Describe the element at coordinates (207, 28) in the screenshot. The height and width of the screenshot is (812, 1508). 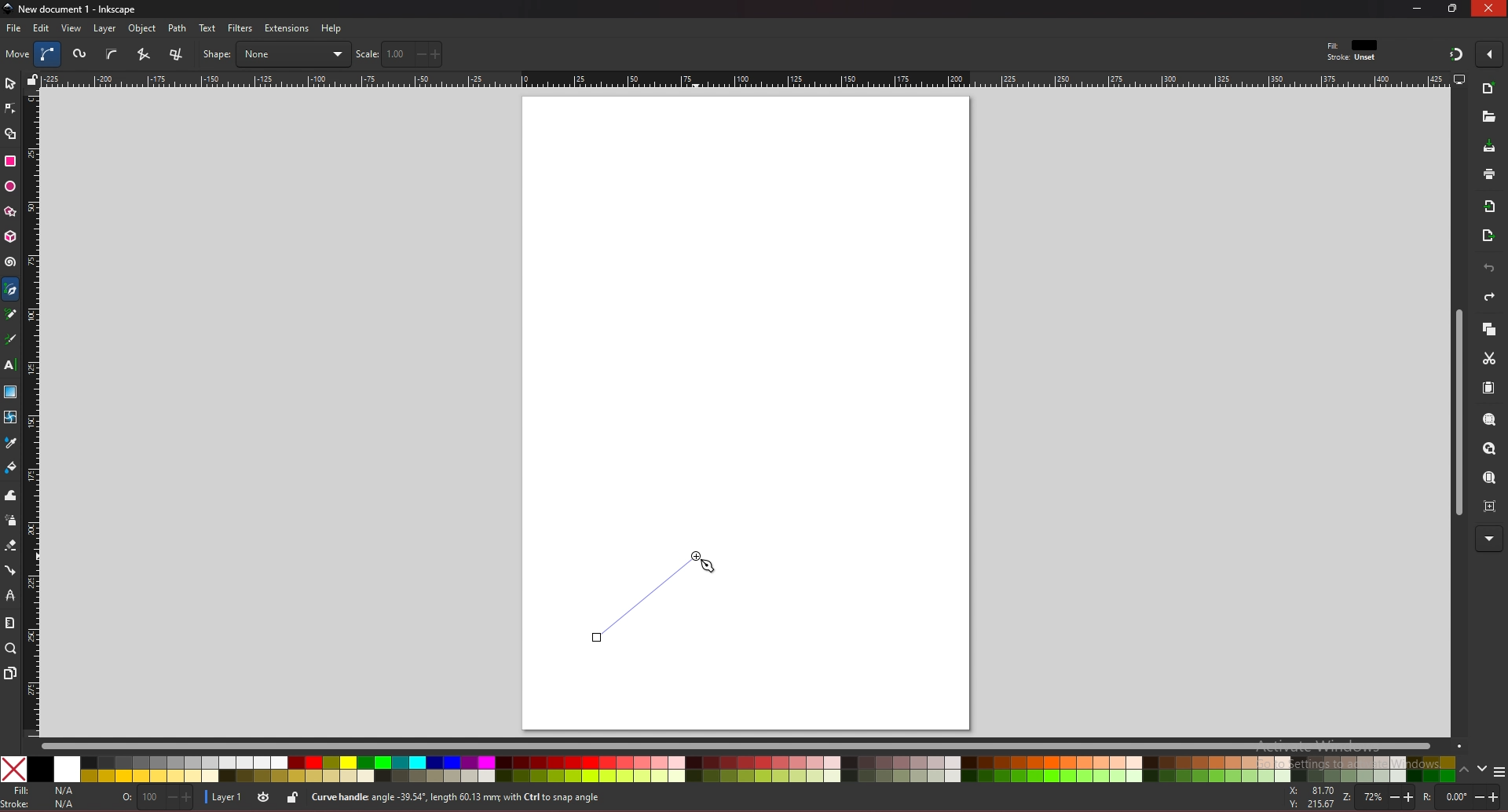
I see `text` at that location.